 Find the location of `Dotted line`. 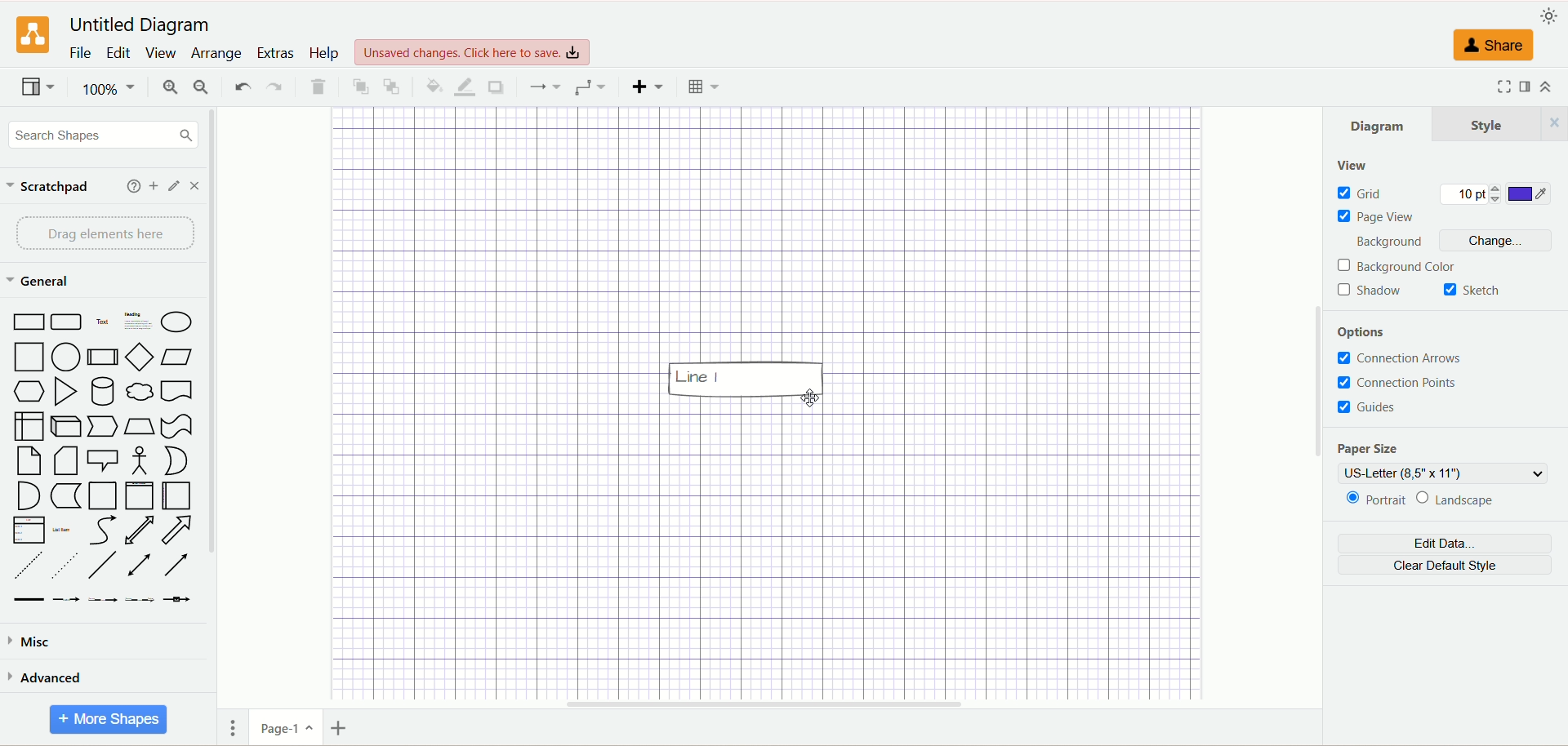

Dotted line is located at coordinates (63, 566).